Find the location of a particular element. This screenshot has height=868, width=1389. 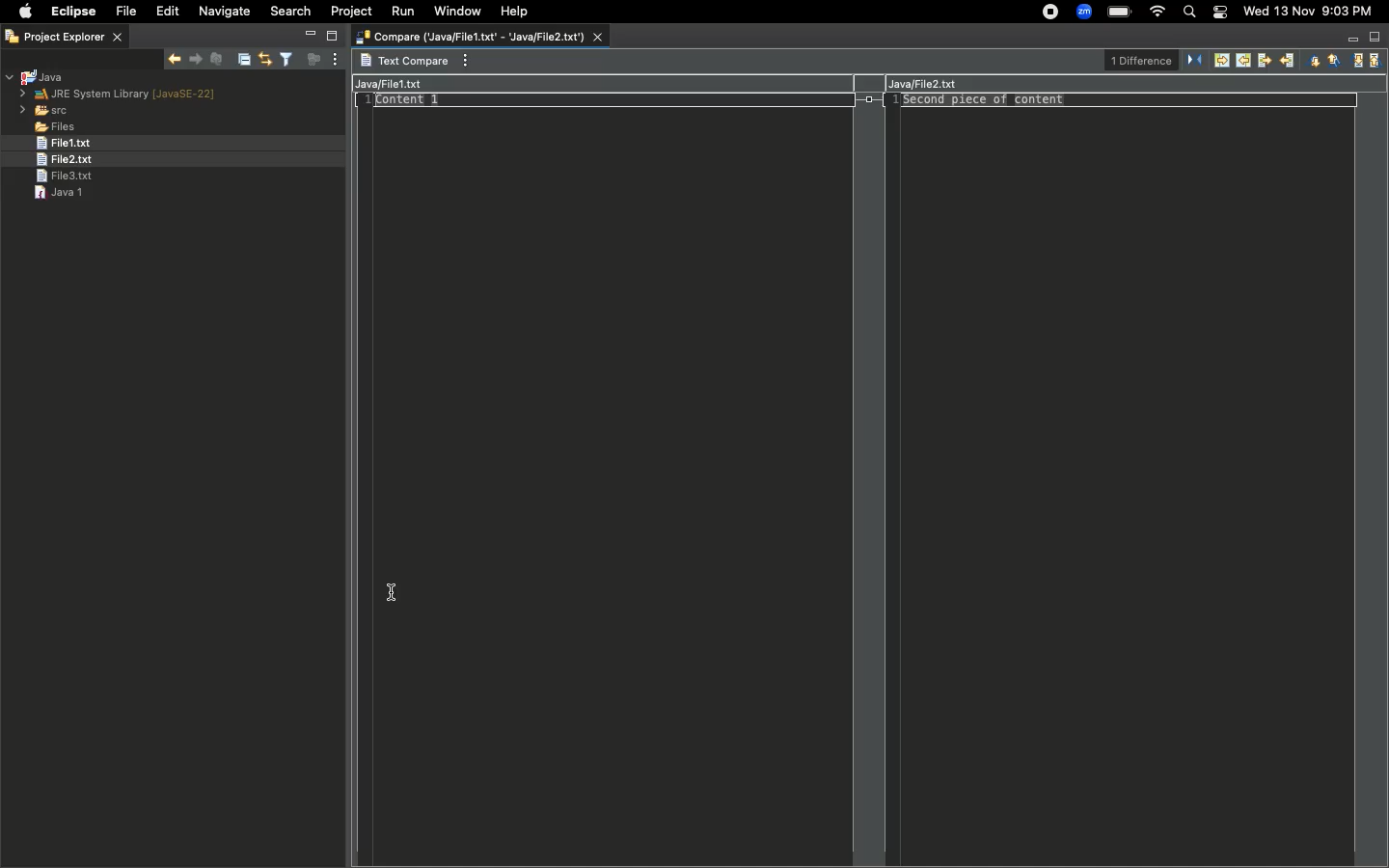

Minimize is located at coordinates (1348, 36).